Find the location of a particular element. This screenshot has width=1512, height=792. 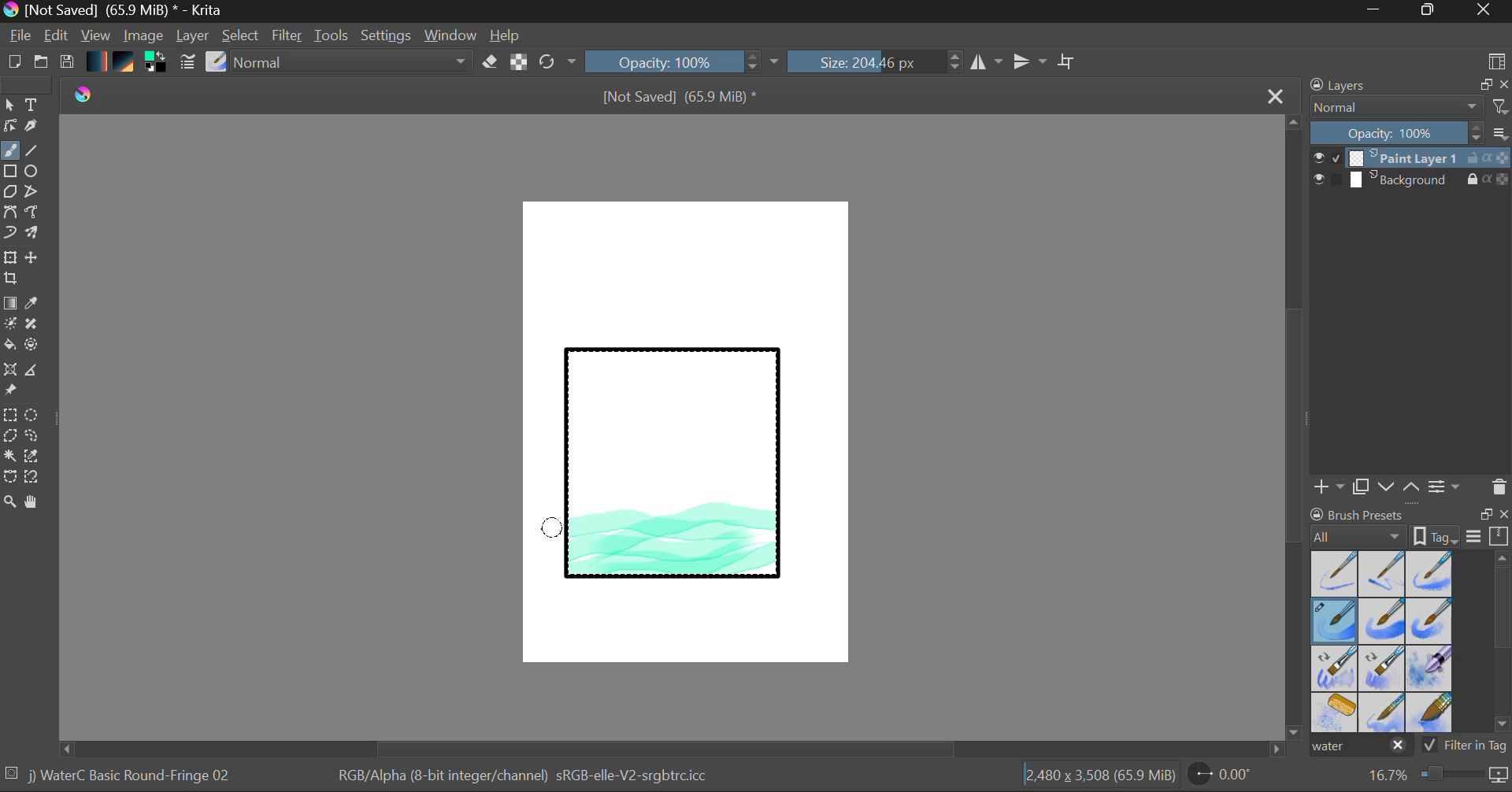

Select Brush Preset is located at coordinates (217, 62).